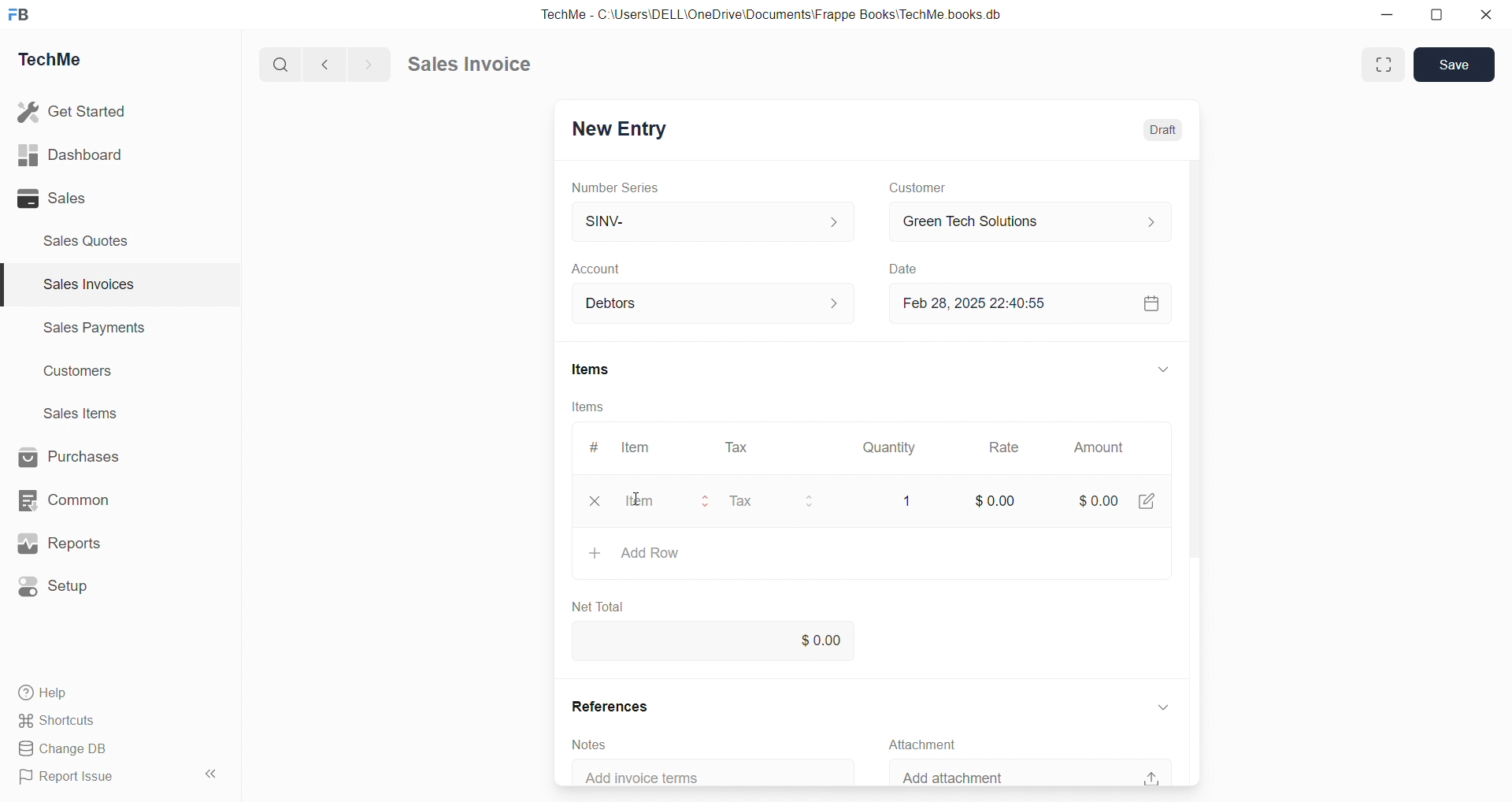 This screenshot has width=1512, height=802. I want to click on down, so click(1164, 707).